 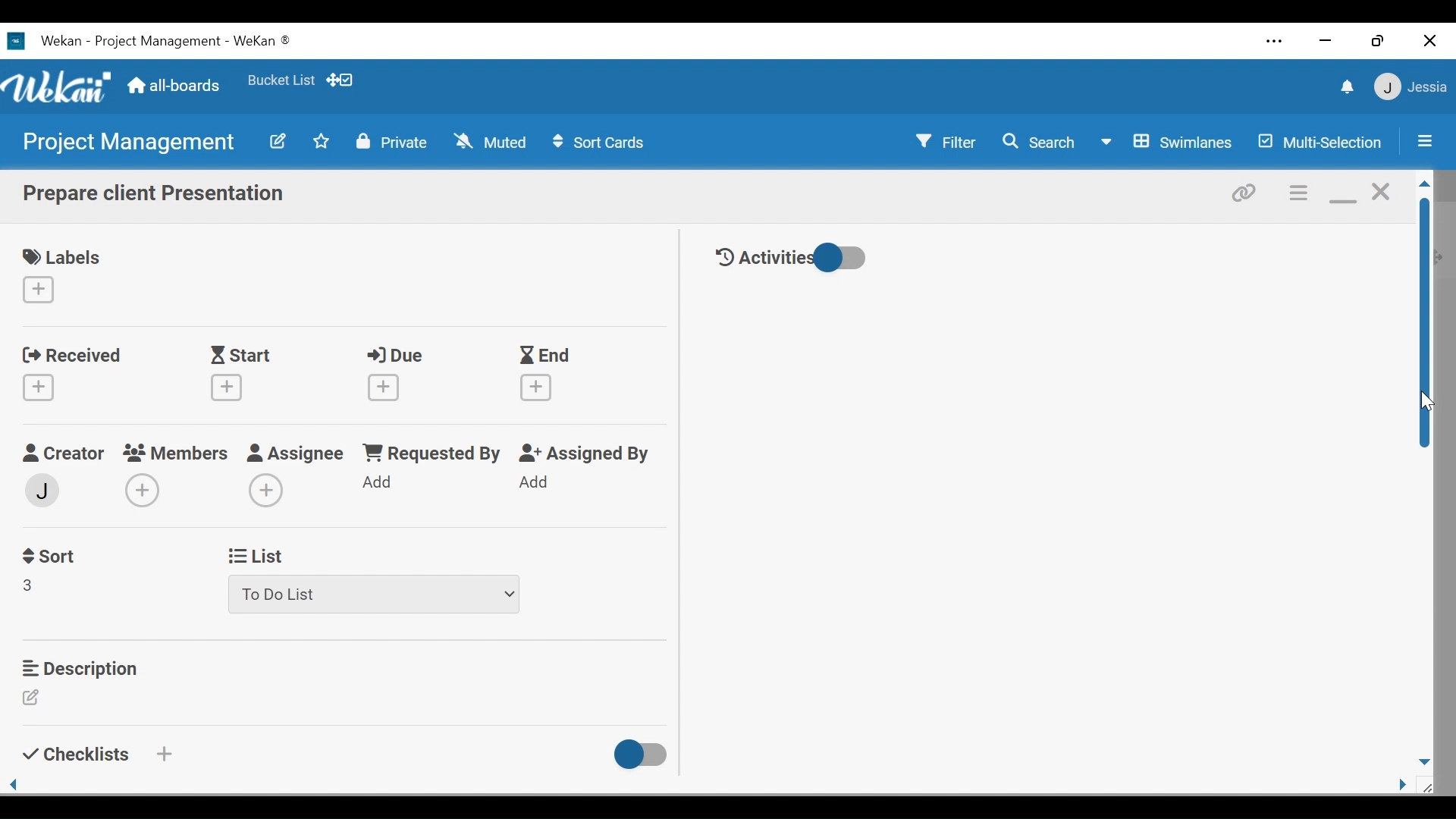 I want to click on Assigned By, so click(x=582, y=453).